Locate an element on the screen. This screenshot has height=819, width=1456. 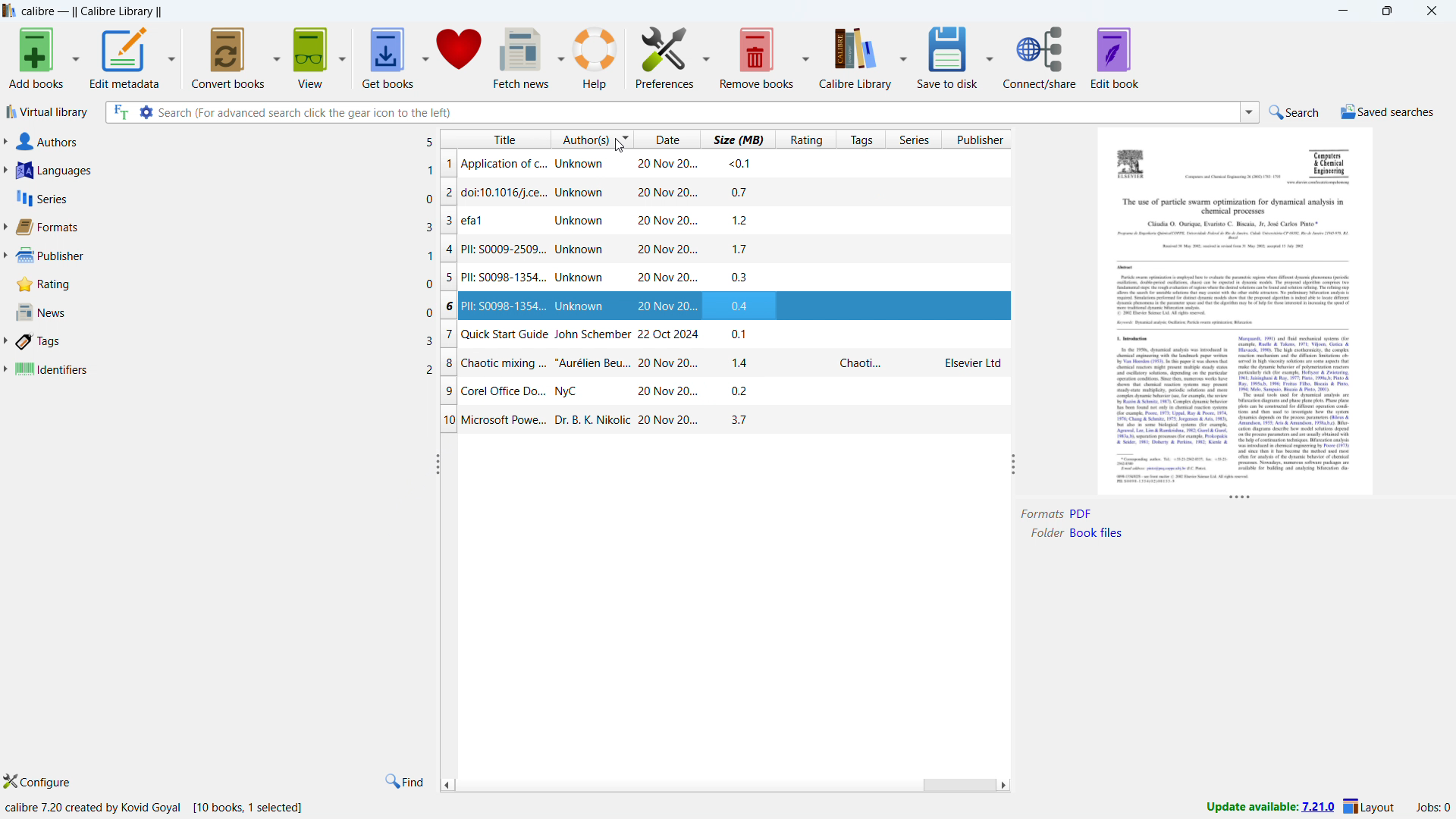
news is located at coordinates (224, 312).